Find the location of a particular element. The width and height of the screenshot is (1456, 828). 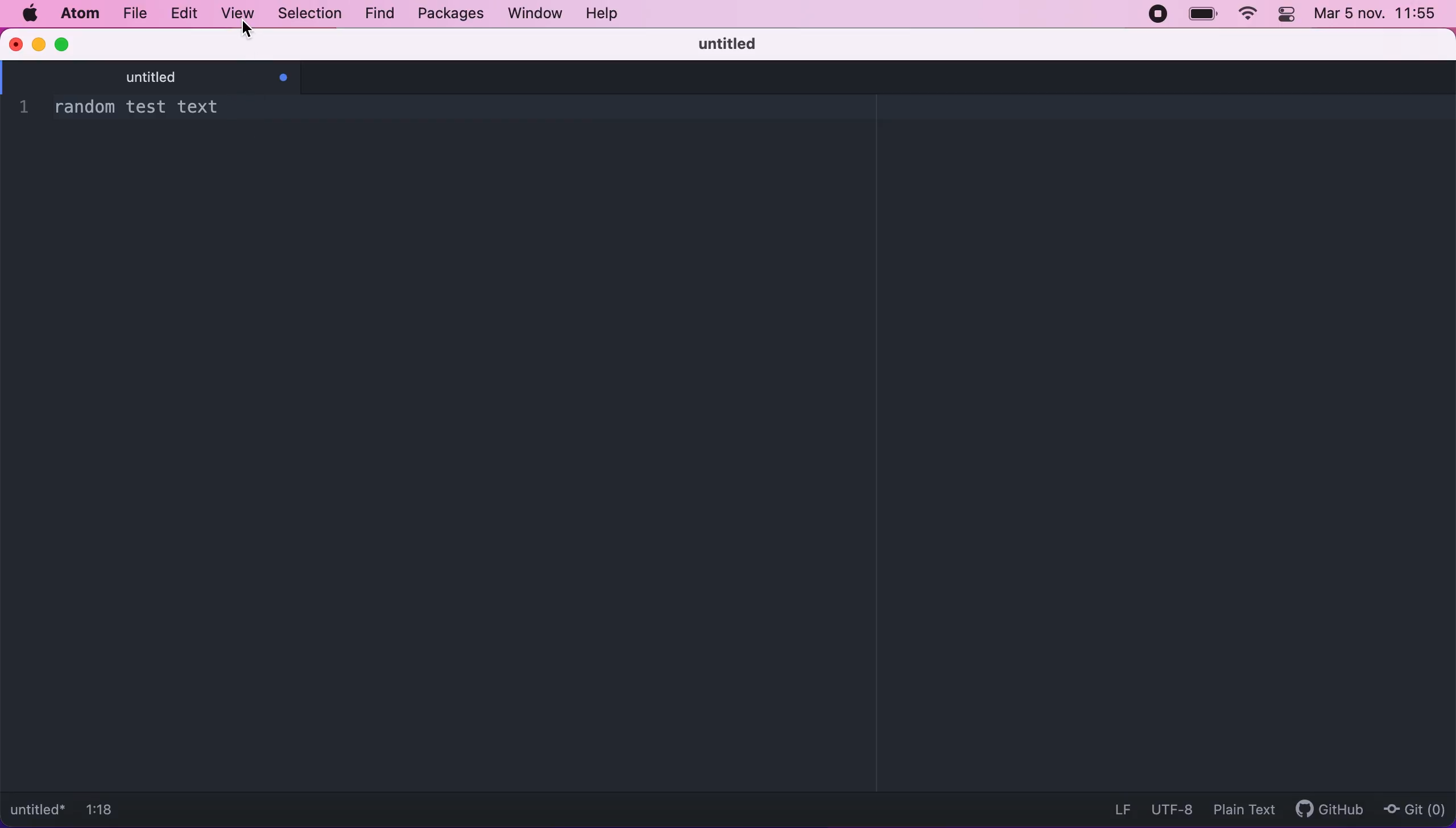

cursor is located at coordinates (250, 31).